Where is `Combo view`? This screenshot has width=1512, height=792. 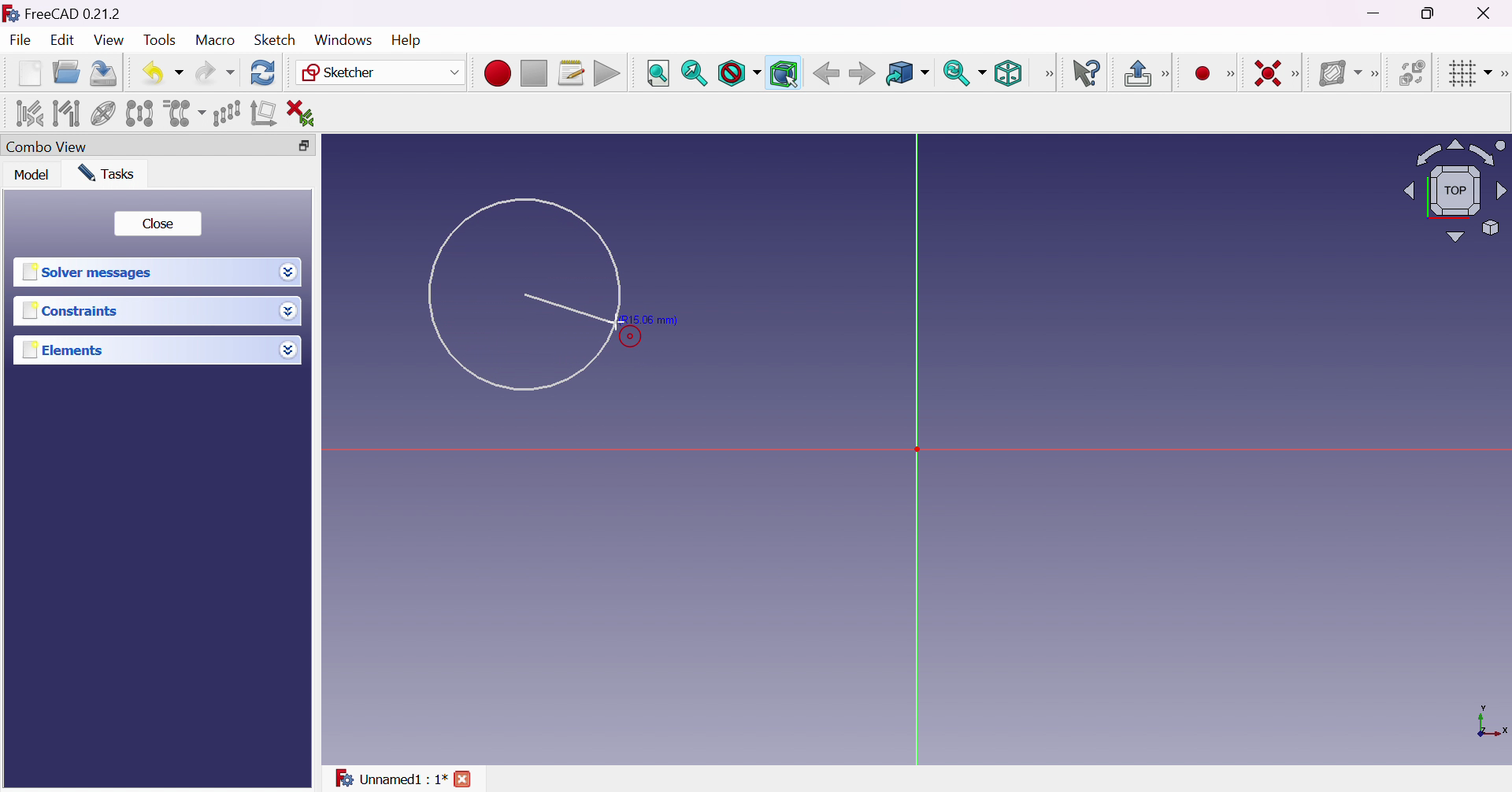
Combo view is located at coordinates (46, 148).